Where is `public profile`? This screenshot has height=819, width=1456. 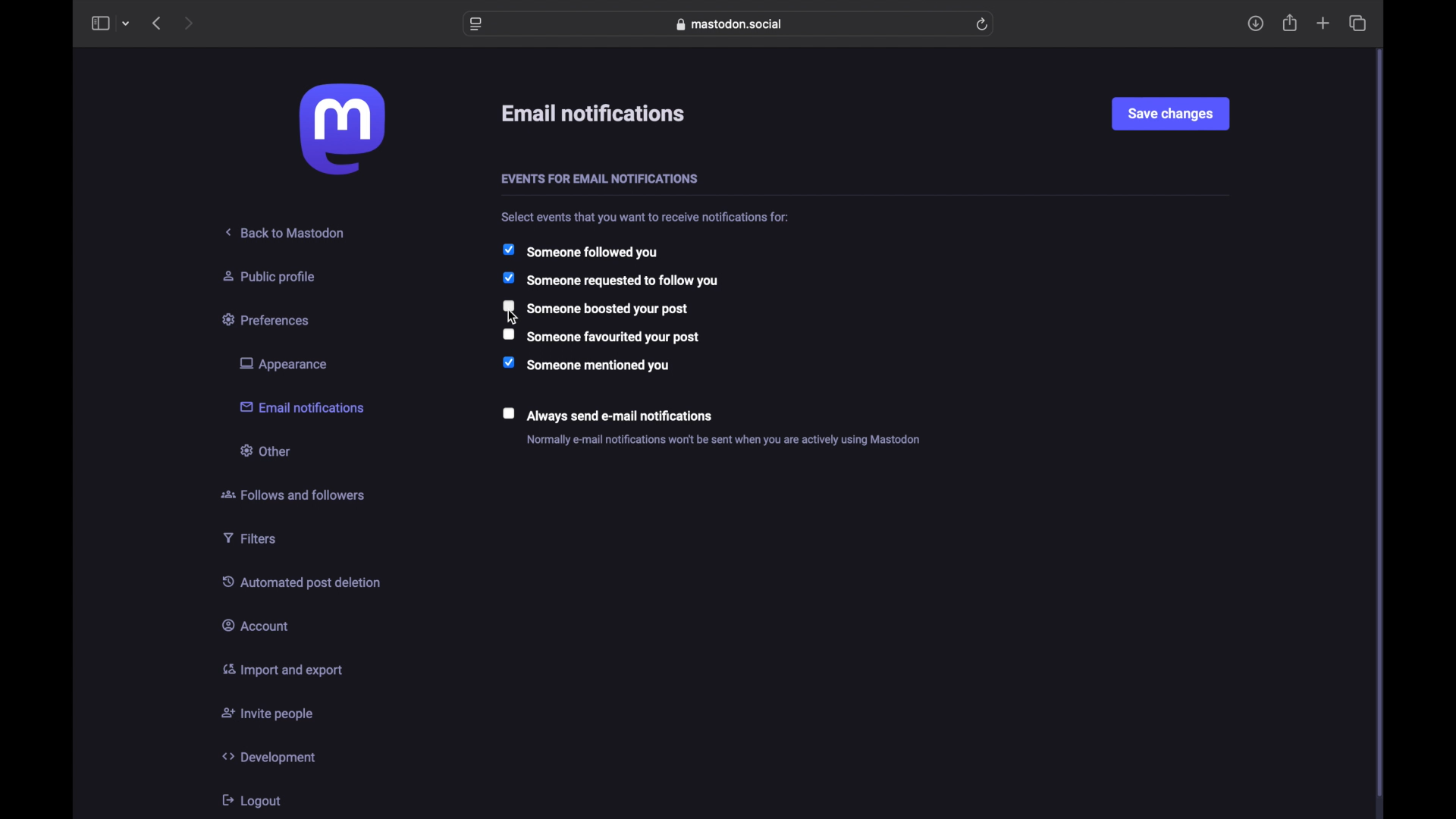 public profile is located at coordinates (269, 276).